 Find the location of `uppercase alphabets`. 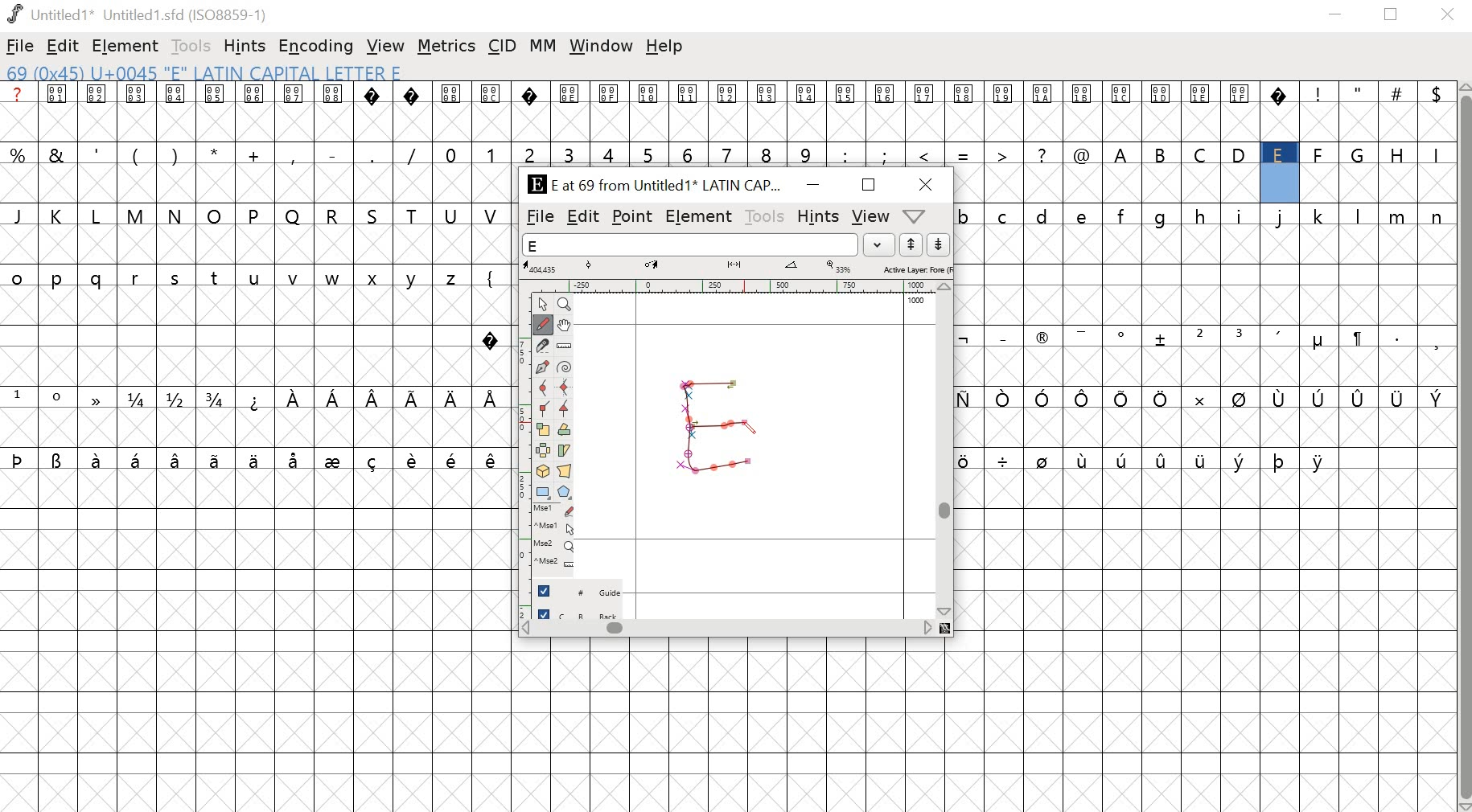

uppercase alphabets is located at coordinates (1281, 154).